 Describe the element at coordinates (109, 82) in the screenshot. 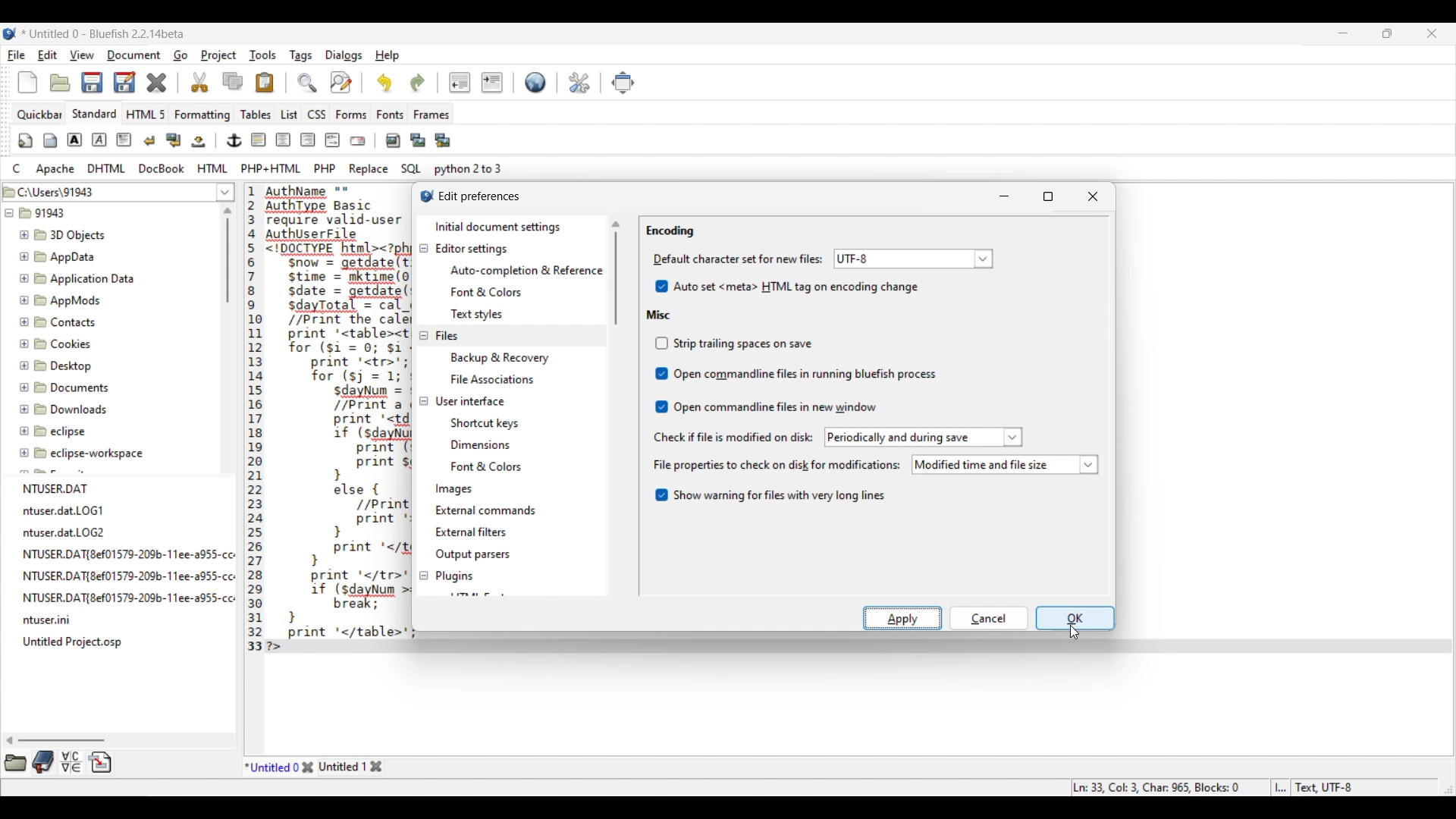

I see `Save options` at that location.